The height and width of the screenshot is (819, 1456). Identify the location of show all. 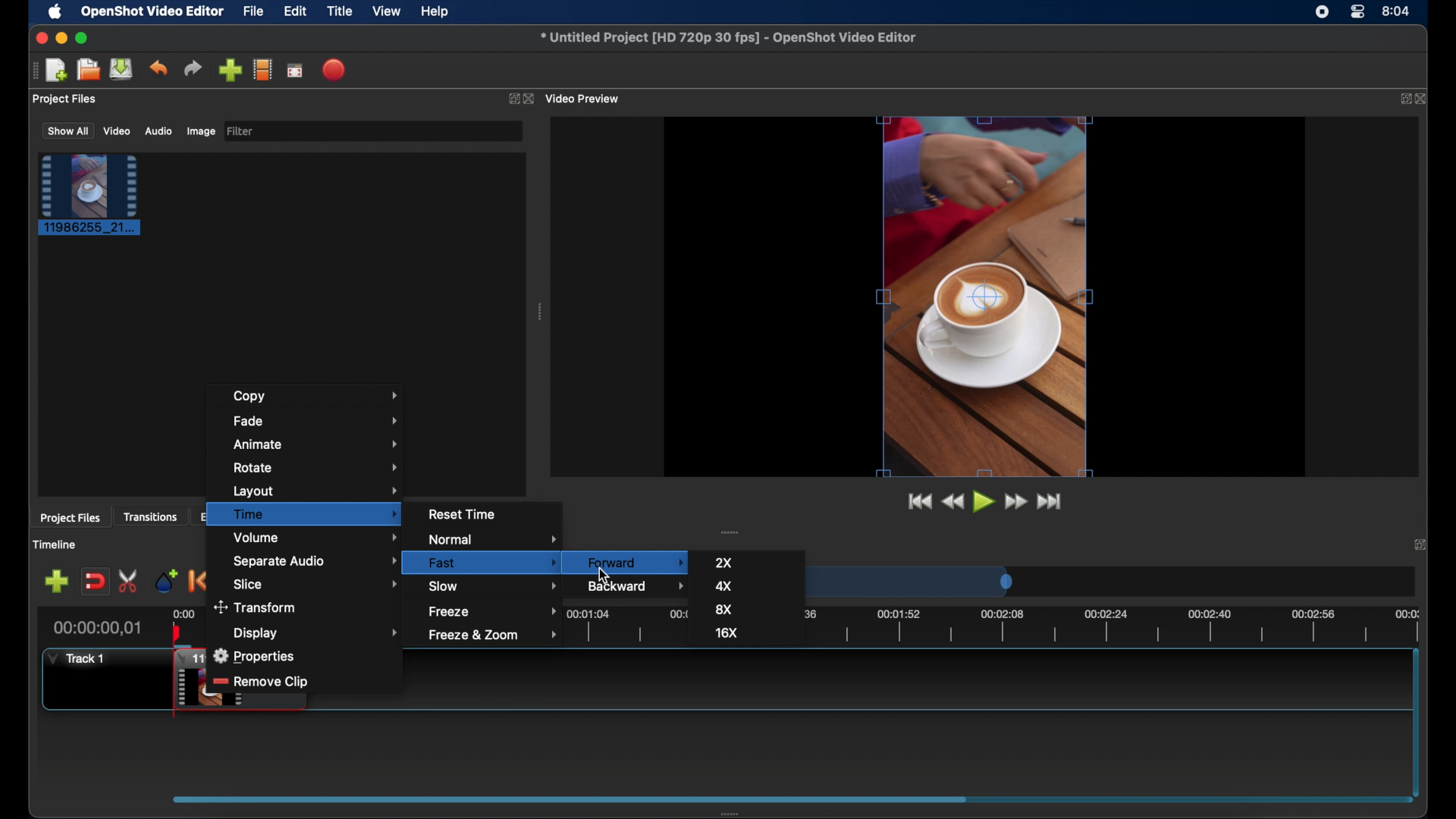
(67, 131).